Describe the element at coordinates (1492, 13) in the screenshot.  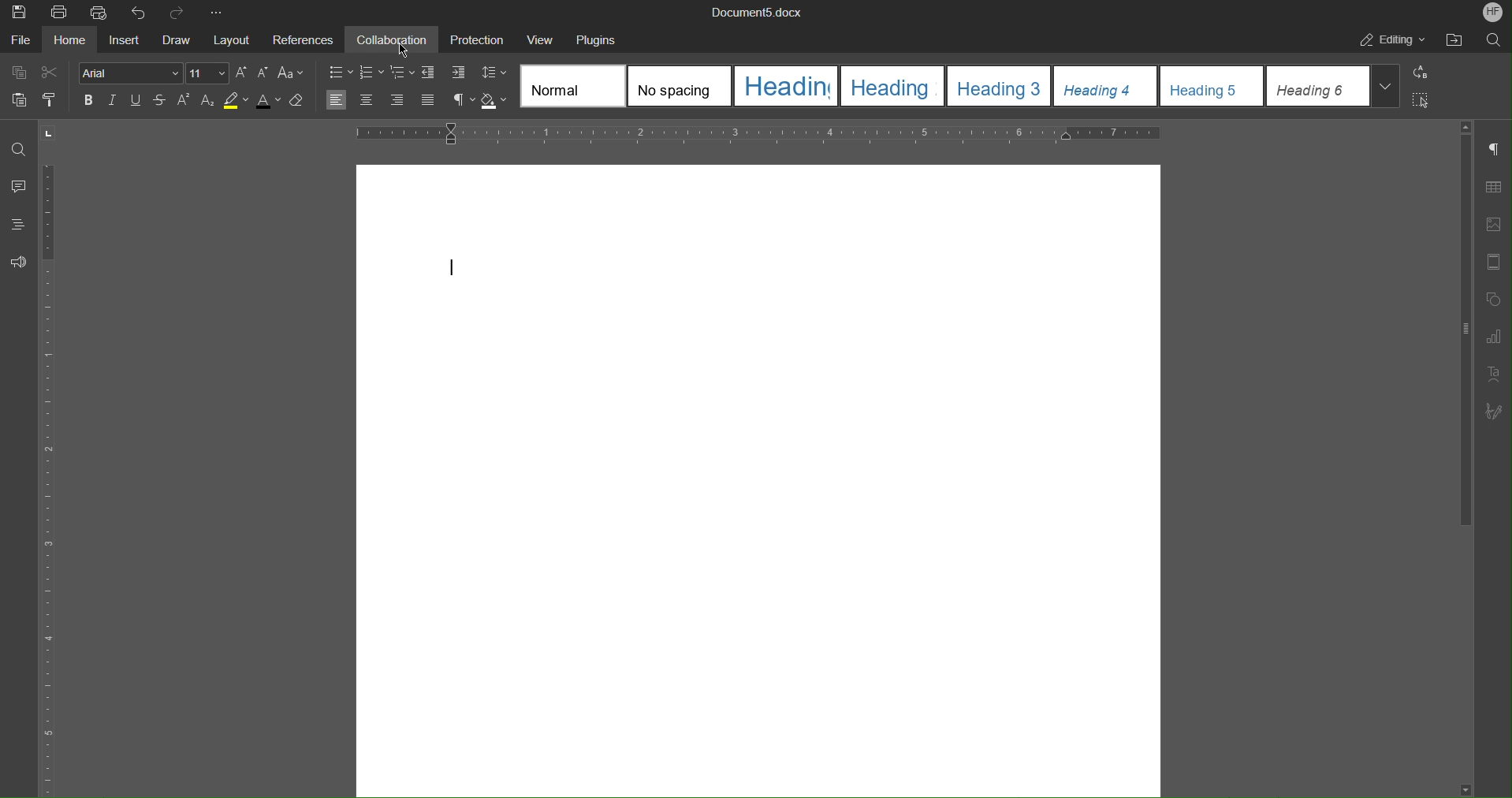
I see `Account` at that location.